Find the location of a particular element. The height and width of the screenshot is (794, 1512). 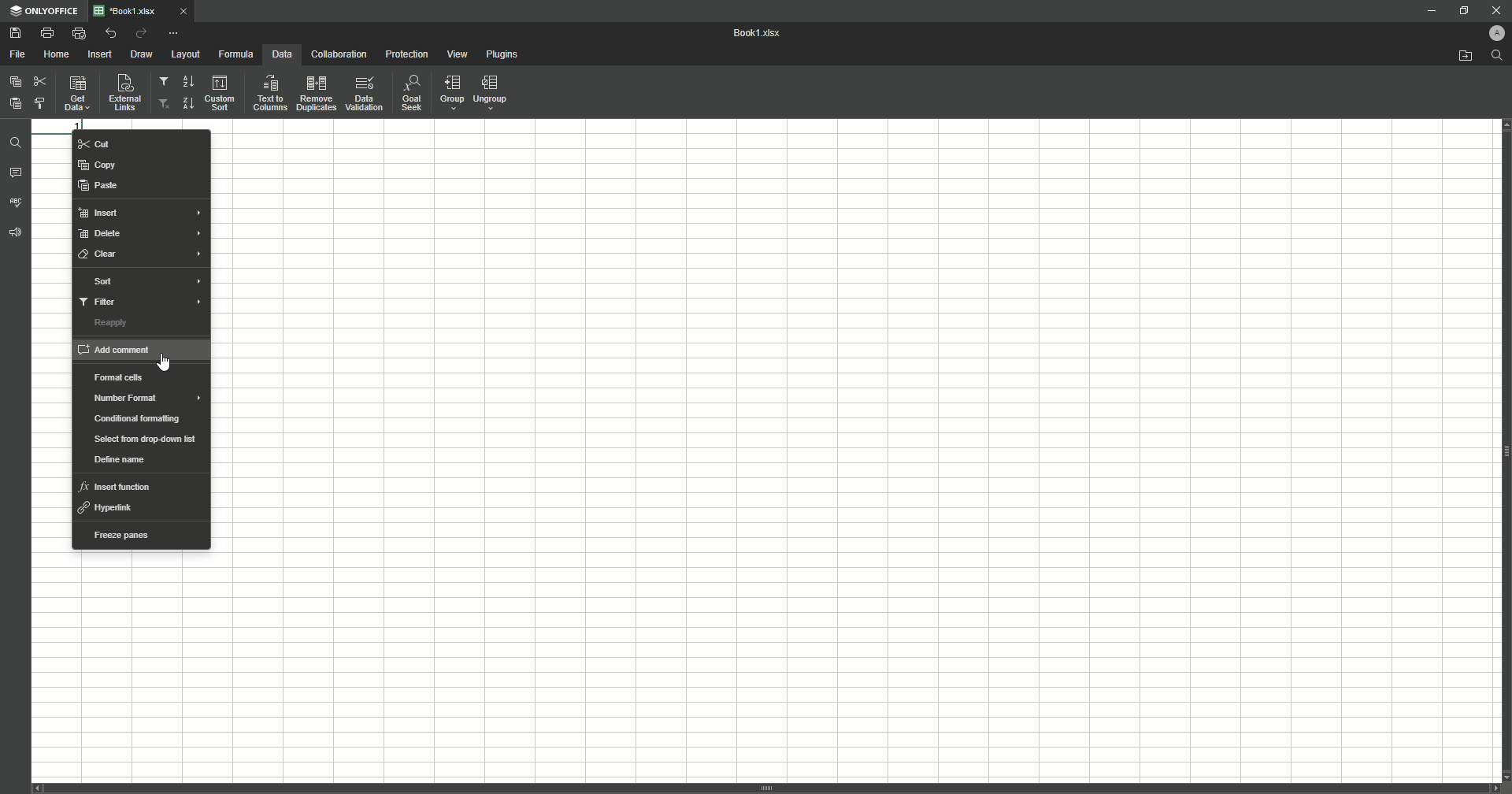

Quick Print is located at coordinates (78, 32).